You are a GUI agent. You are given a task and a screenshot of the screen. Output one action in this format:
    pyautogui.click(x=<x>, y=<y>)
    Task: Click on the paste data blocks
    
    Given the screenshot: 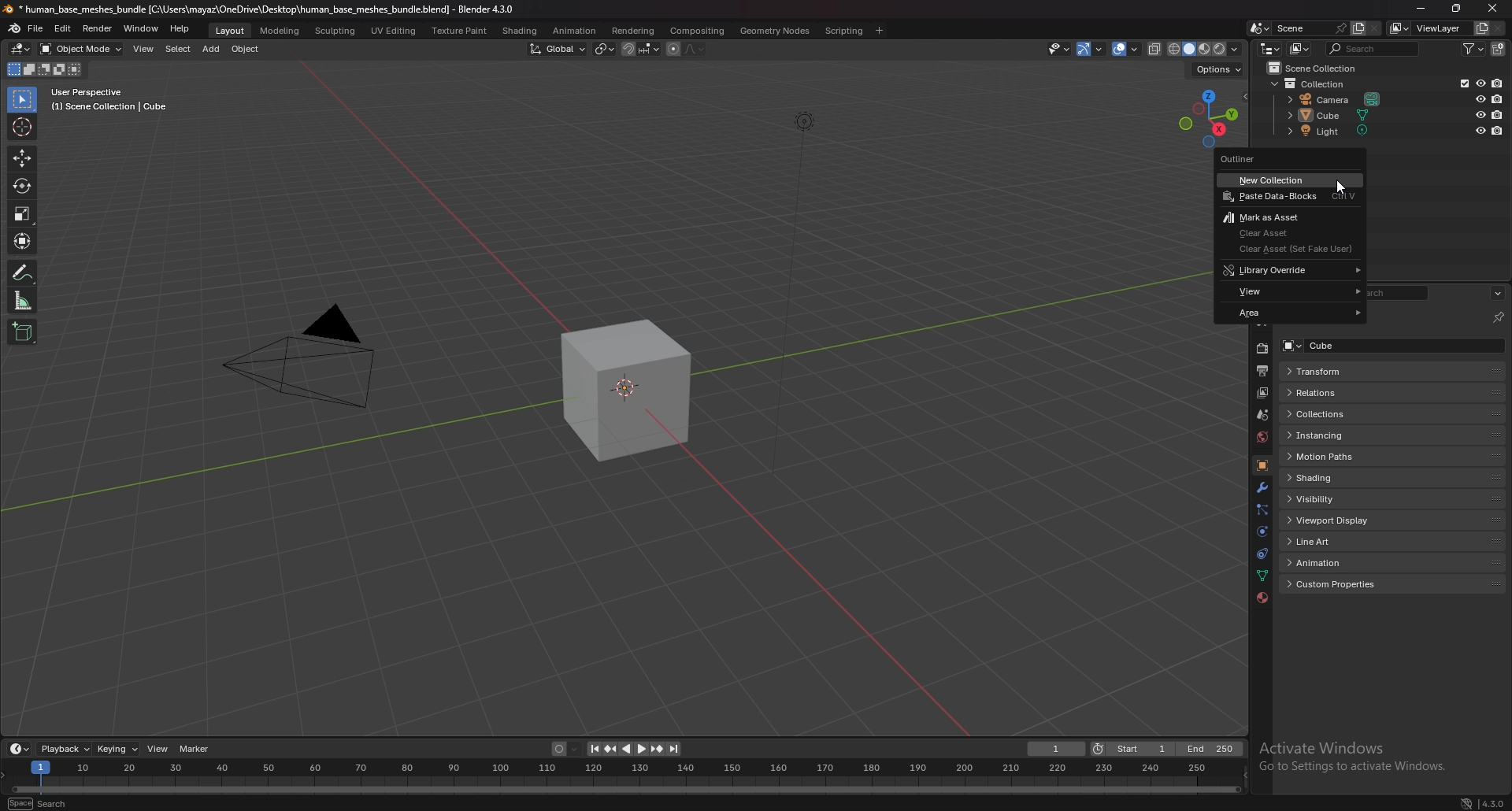 What is the action you would take?
    pyautogui.click(x=1288, y=197)
    